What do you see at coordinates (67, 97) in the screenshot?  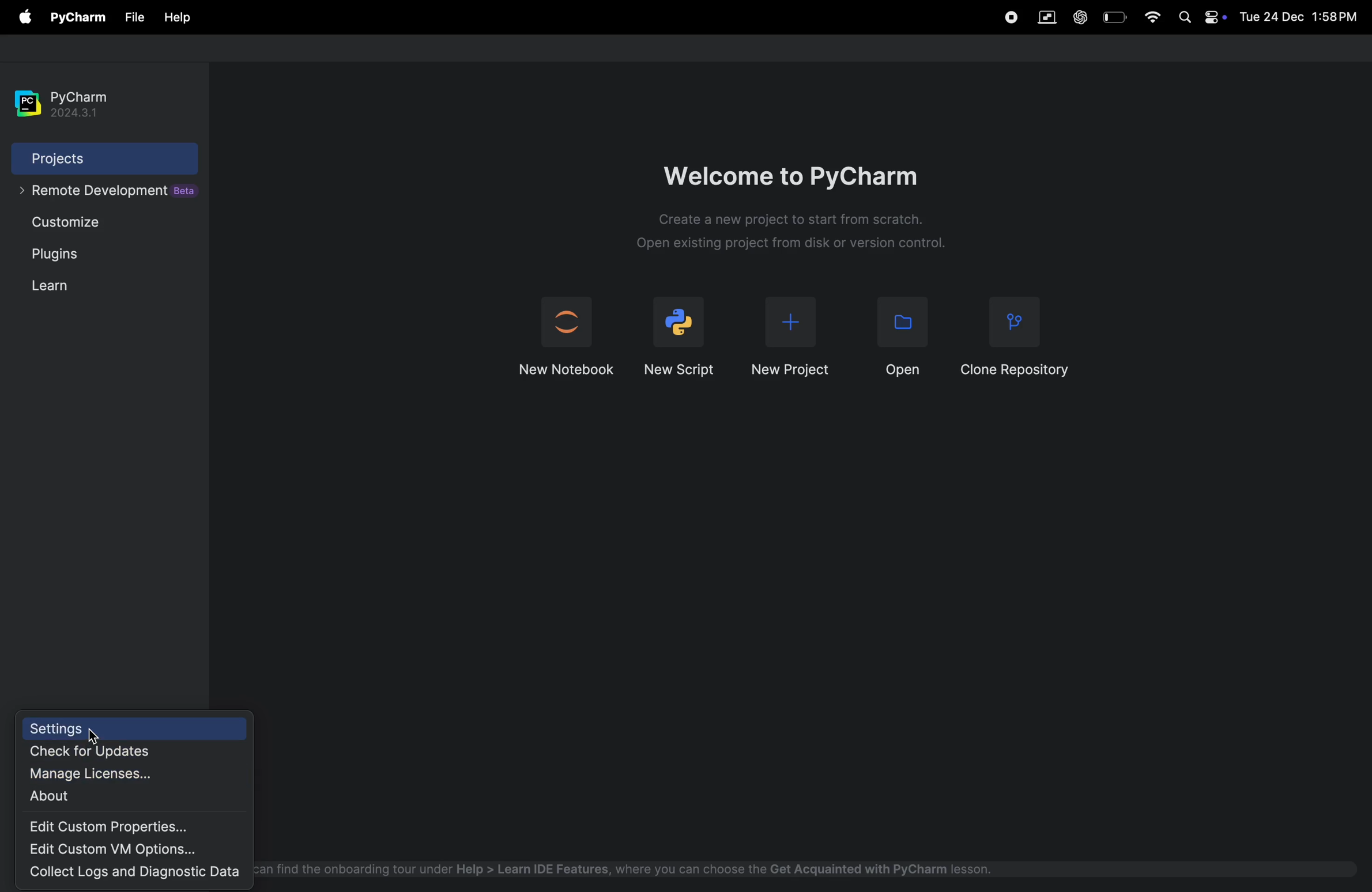 I see `pycharm 2024.3.1` at bounding box center [67, 97].